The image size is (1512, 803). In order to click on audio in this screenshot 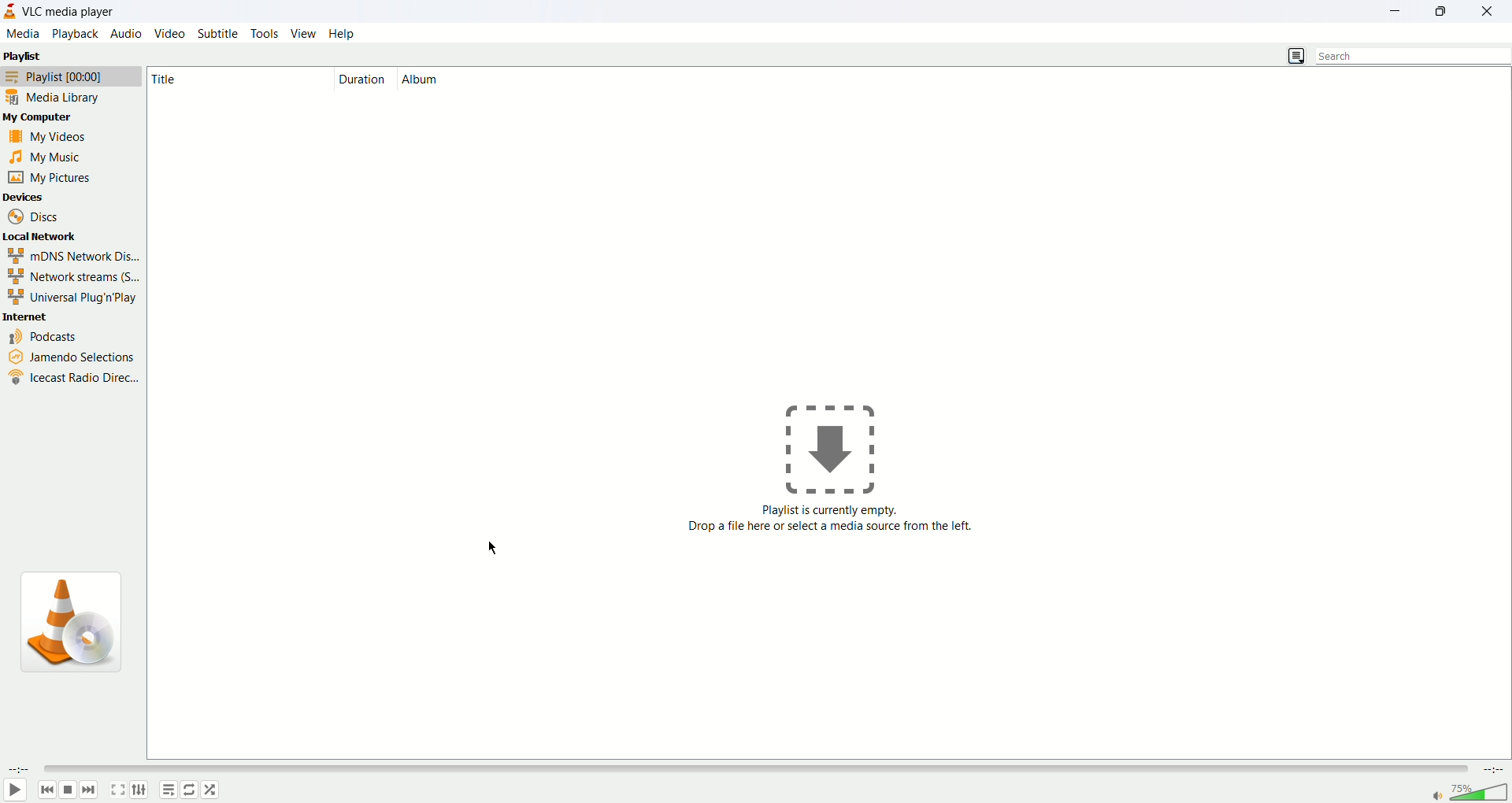, I will do `click(127, 35)`.